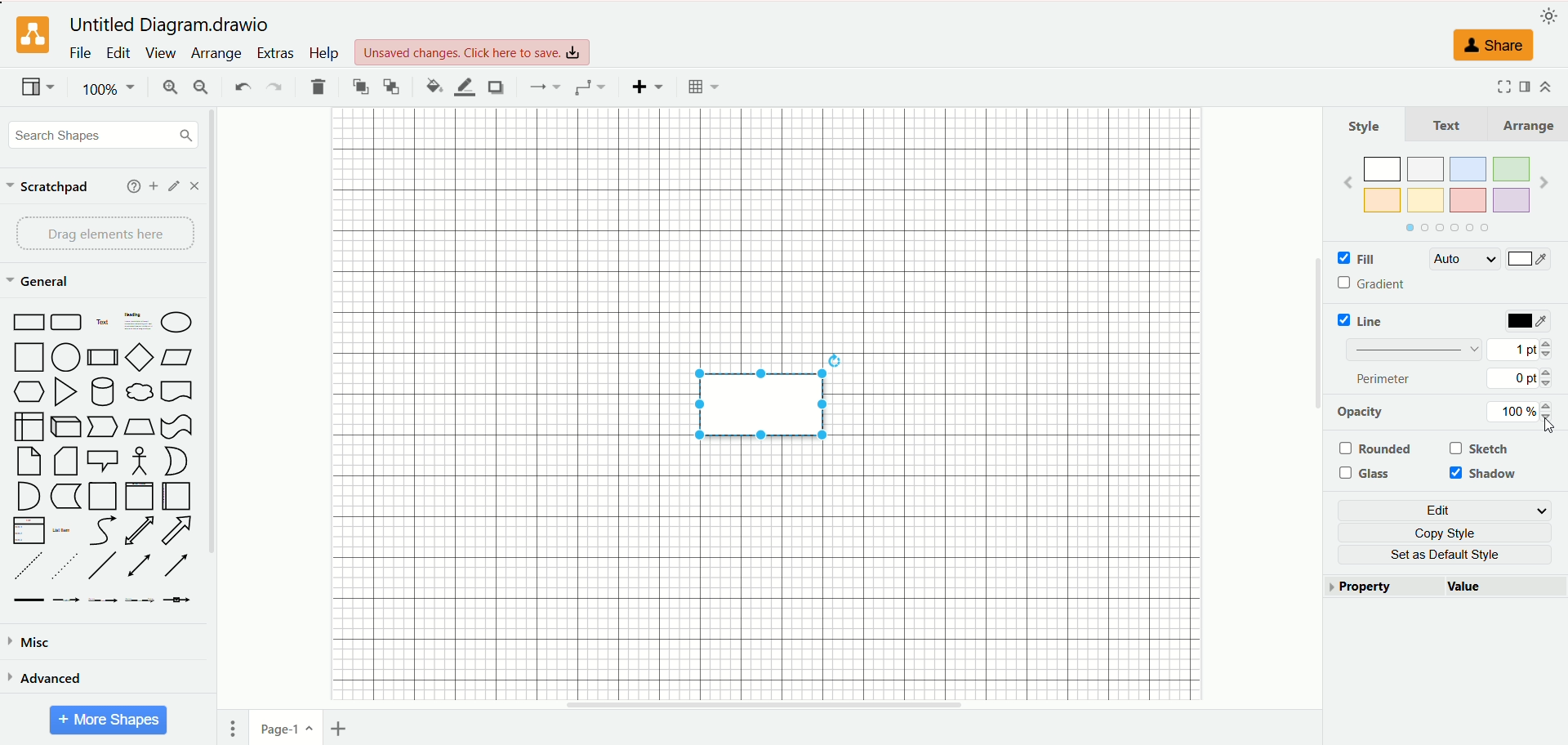 The height and width of the screenshot is (745, 1568). What do you see at coordinates (1530, 322) in the screenshot?
I see `color` at bounding box center [1530, 322].